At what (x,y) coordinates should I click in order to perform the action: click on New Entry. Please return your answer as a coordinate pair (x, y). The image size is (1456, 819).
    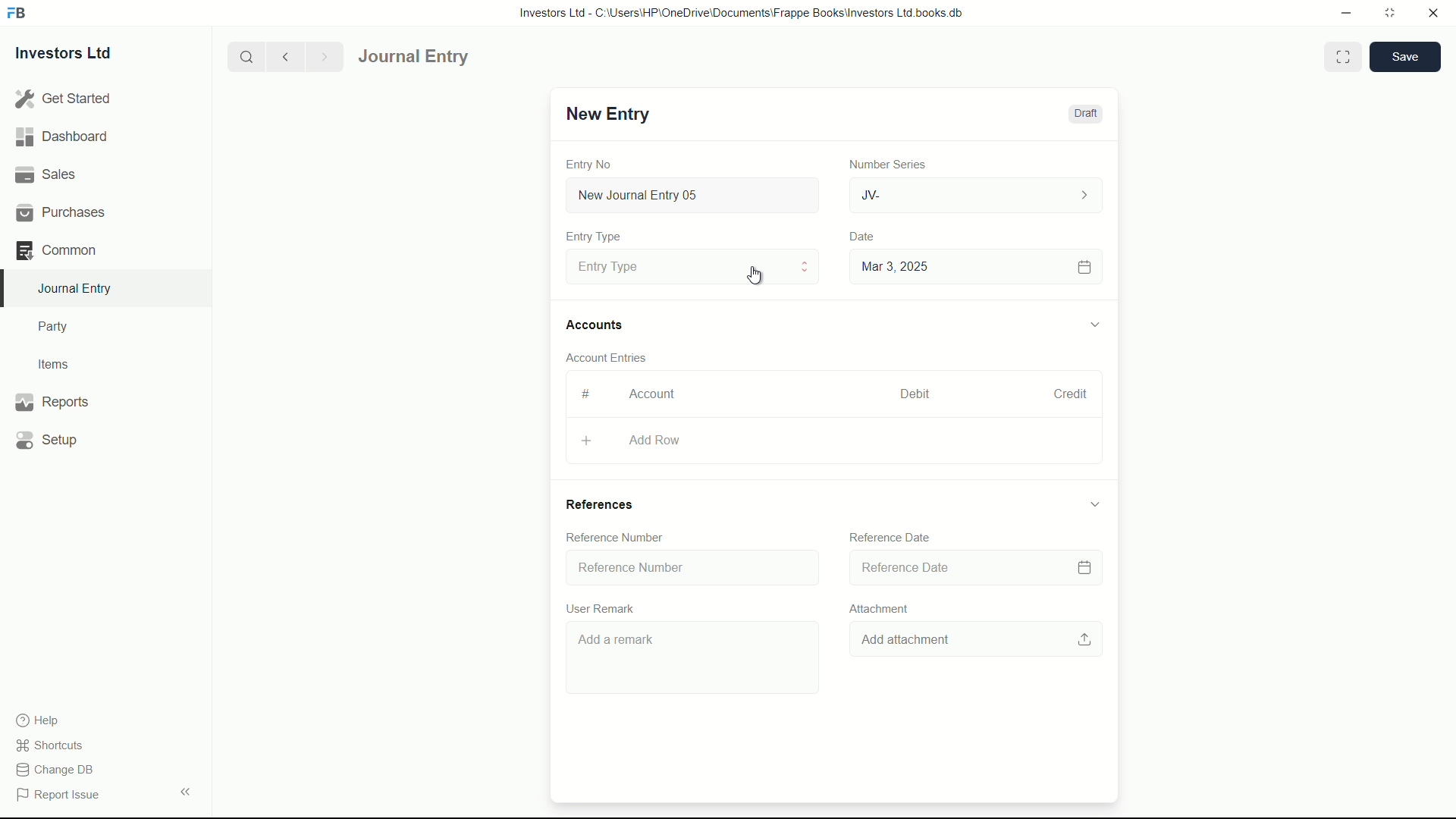
    Looking at the image, I should click on (605, 114).